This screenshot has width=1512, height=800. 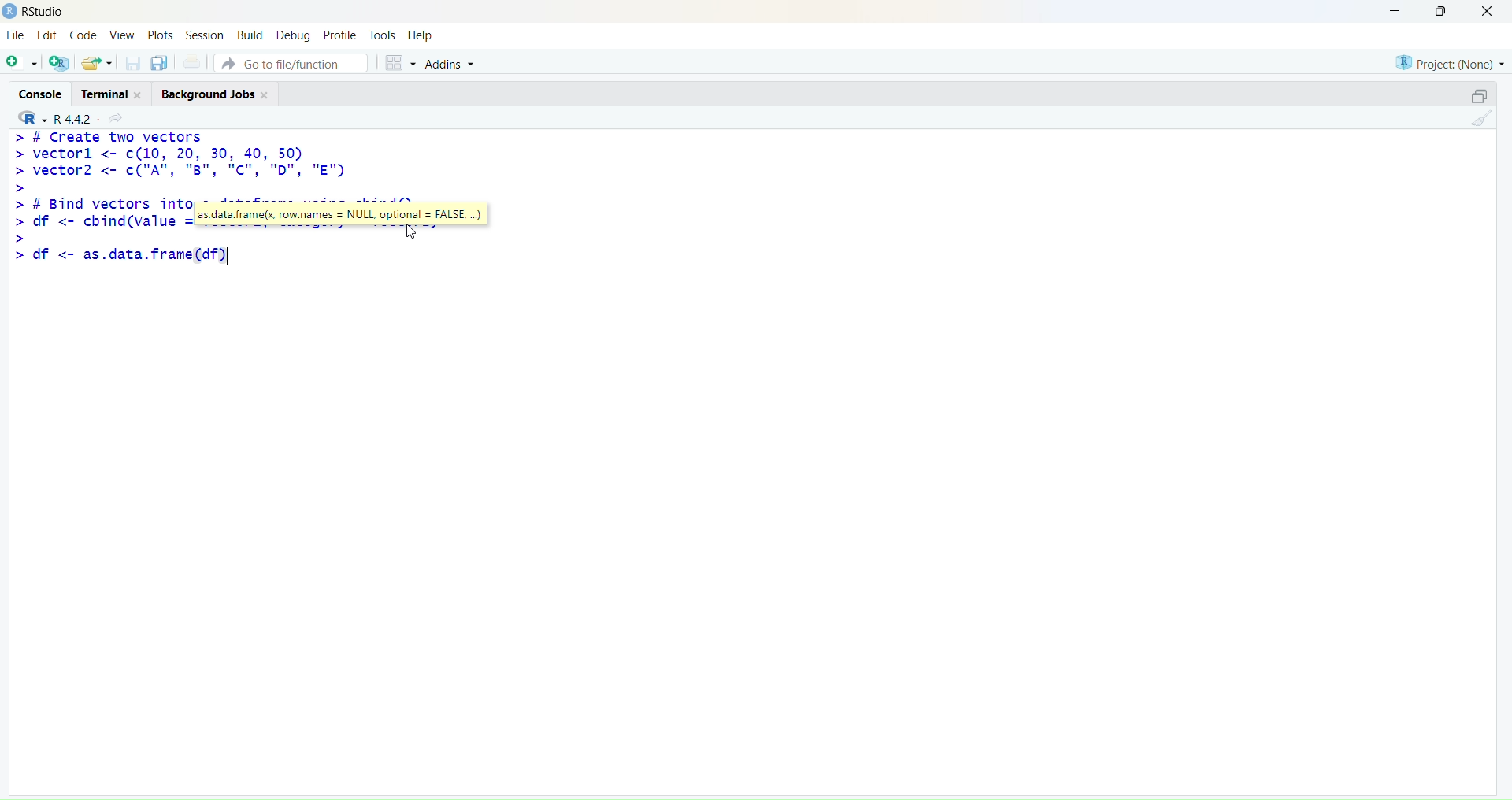 I want to click on save all open document, so click(x=161, y=64).